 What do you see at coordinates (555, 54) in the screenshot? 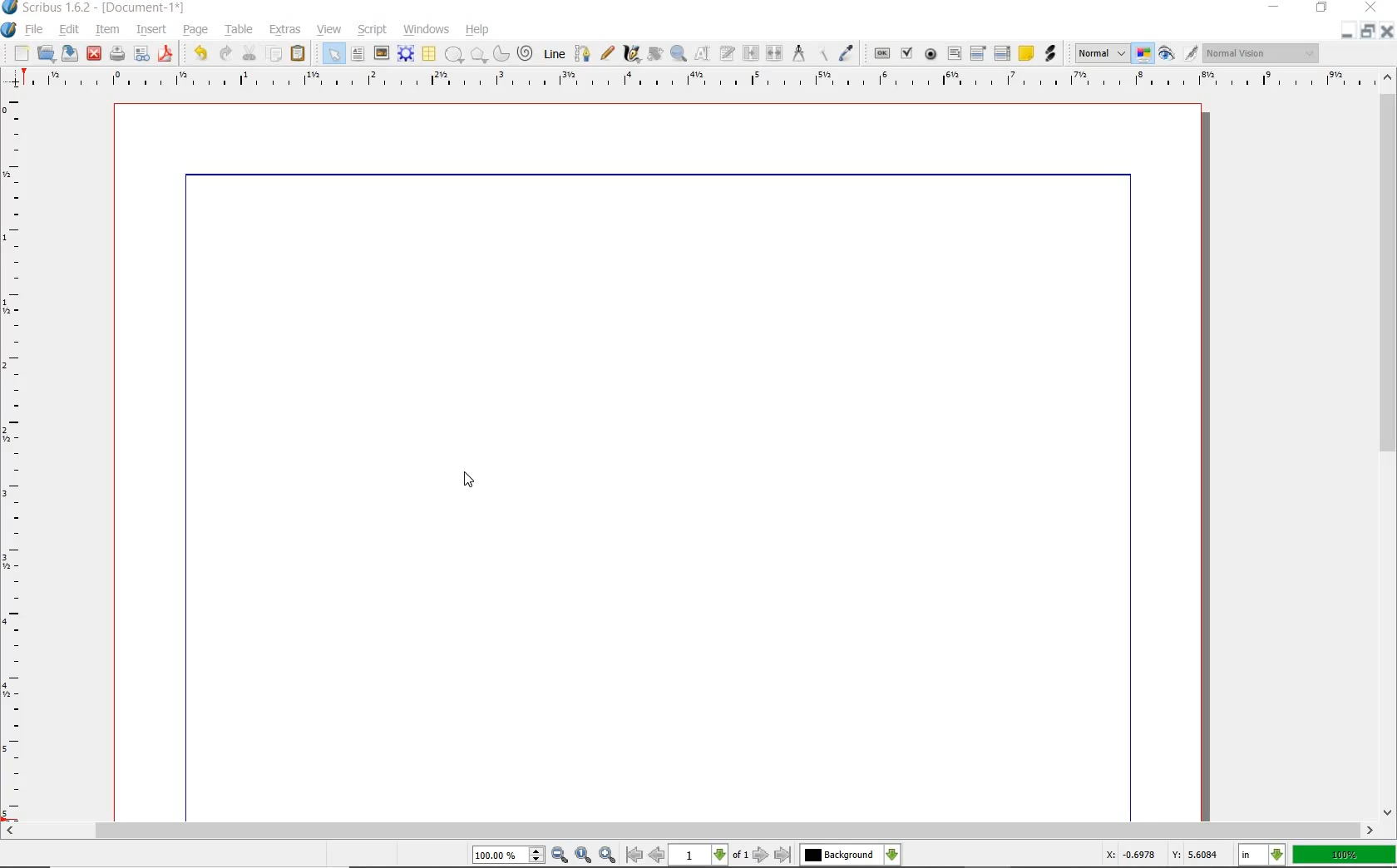
I see `LINE` at bounding box center [555, 54].